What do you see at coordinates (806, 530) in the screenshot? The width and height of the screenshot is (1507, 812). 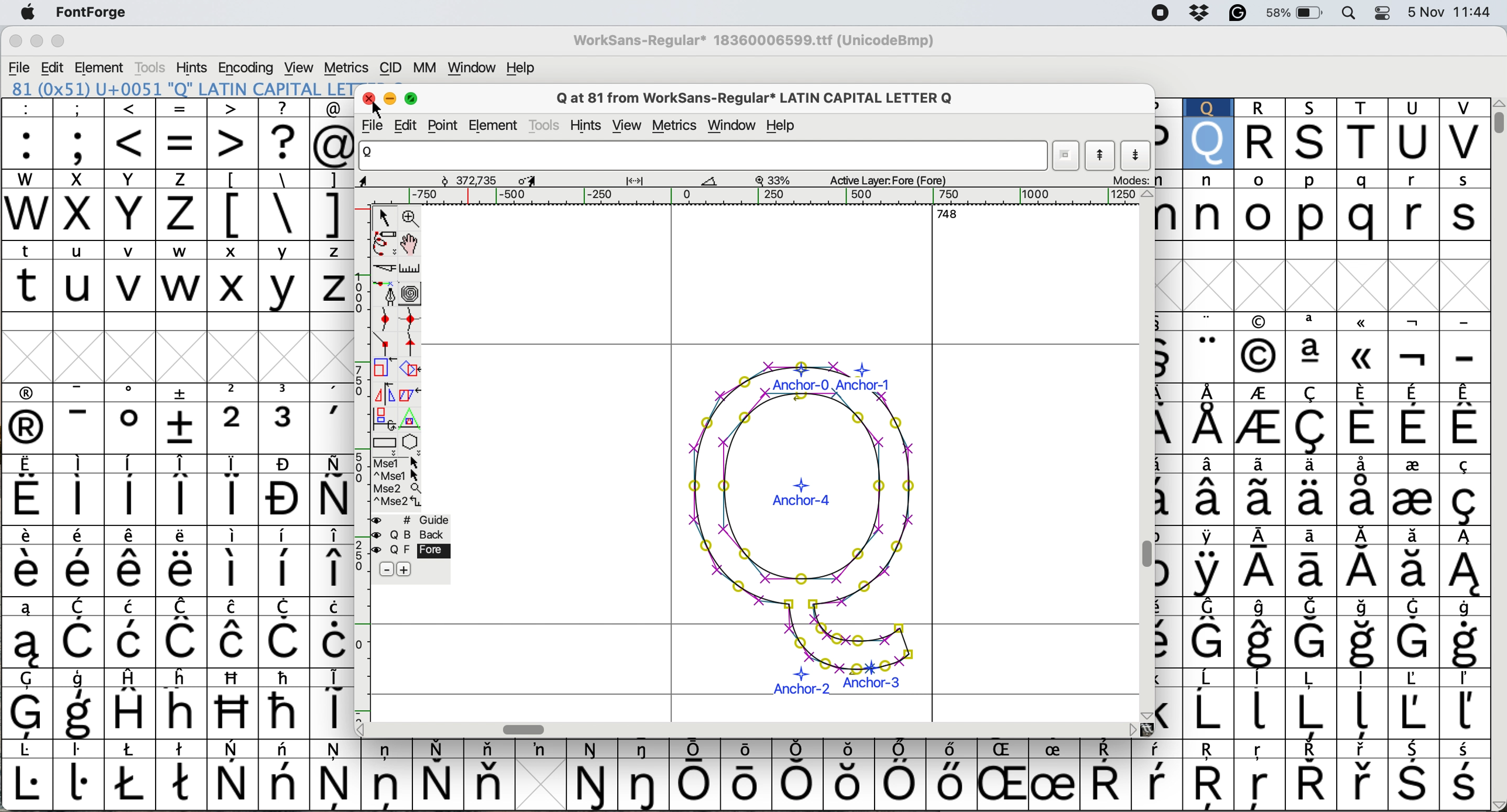 I see `adjust bearings of glyph` at bounding box center [806, 530].